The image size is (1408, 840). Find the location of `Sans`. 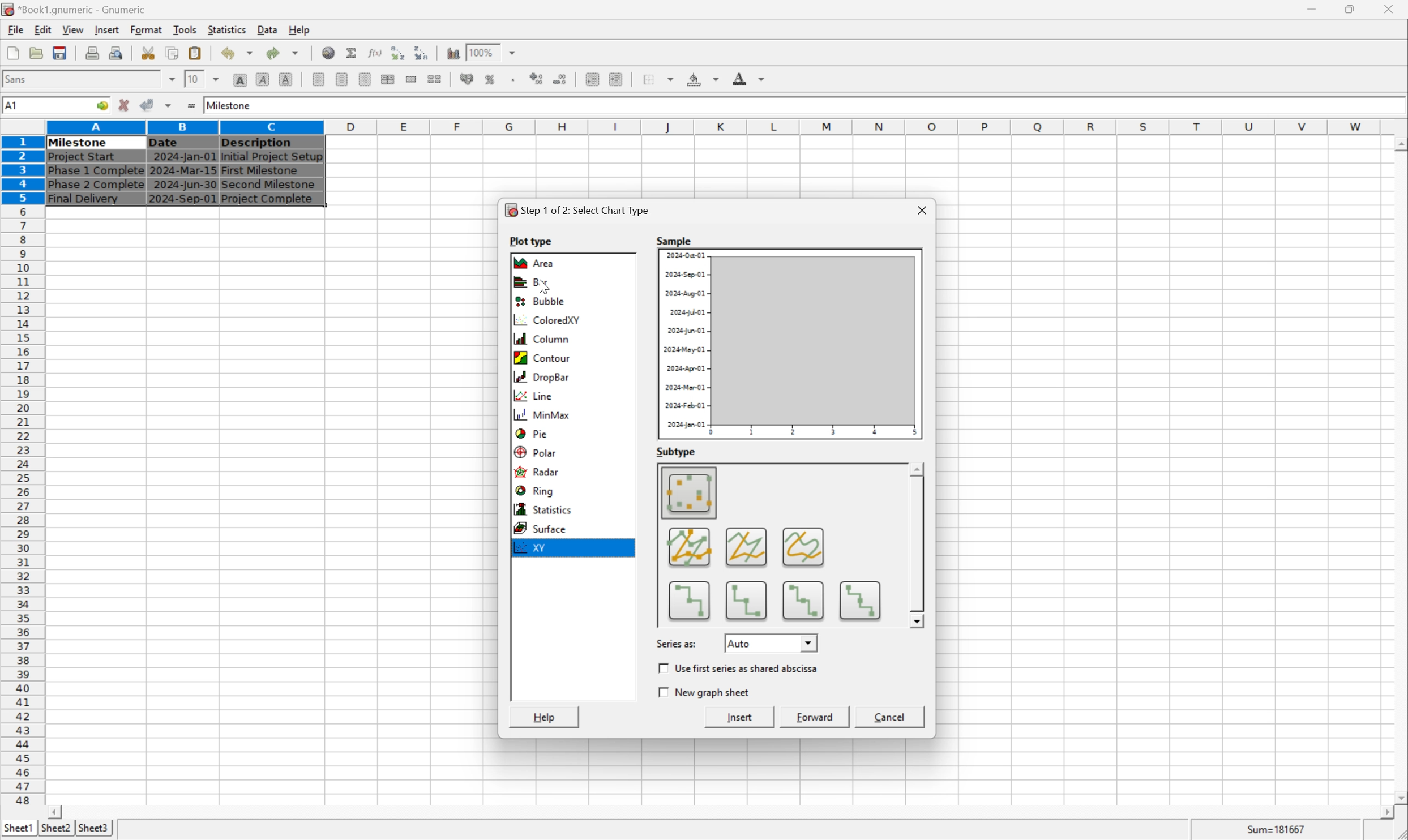

Sans is located at coordinates (19, 78).